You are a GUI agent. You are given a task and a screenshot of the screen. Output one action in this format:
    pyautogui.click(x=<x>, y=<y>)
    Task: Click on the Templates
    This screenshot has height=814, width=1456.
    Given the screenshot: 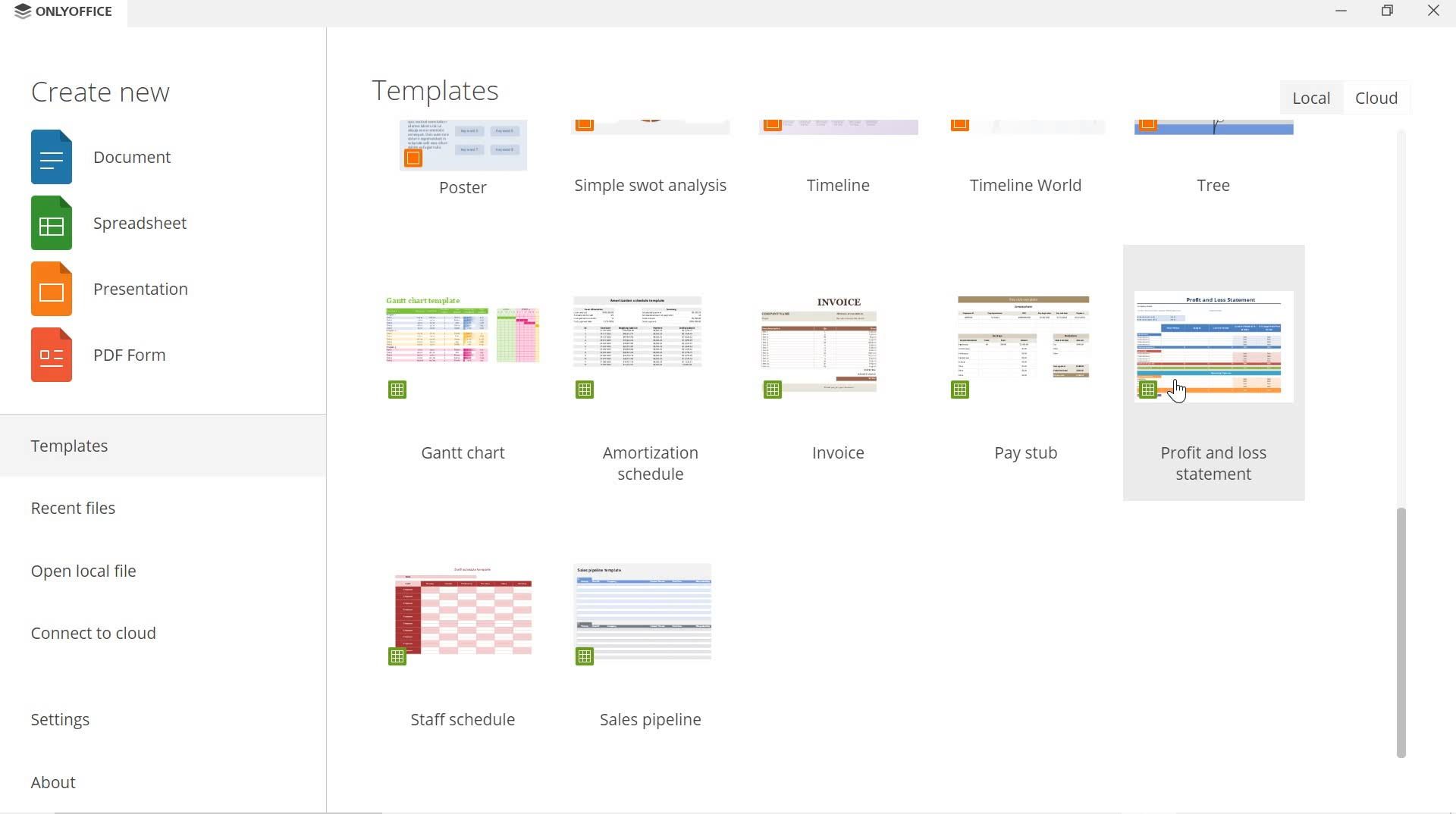 What is the action you would take?
    pyautogui.click(x=445, y=91)
    